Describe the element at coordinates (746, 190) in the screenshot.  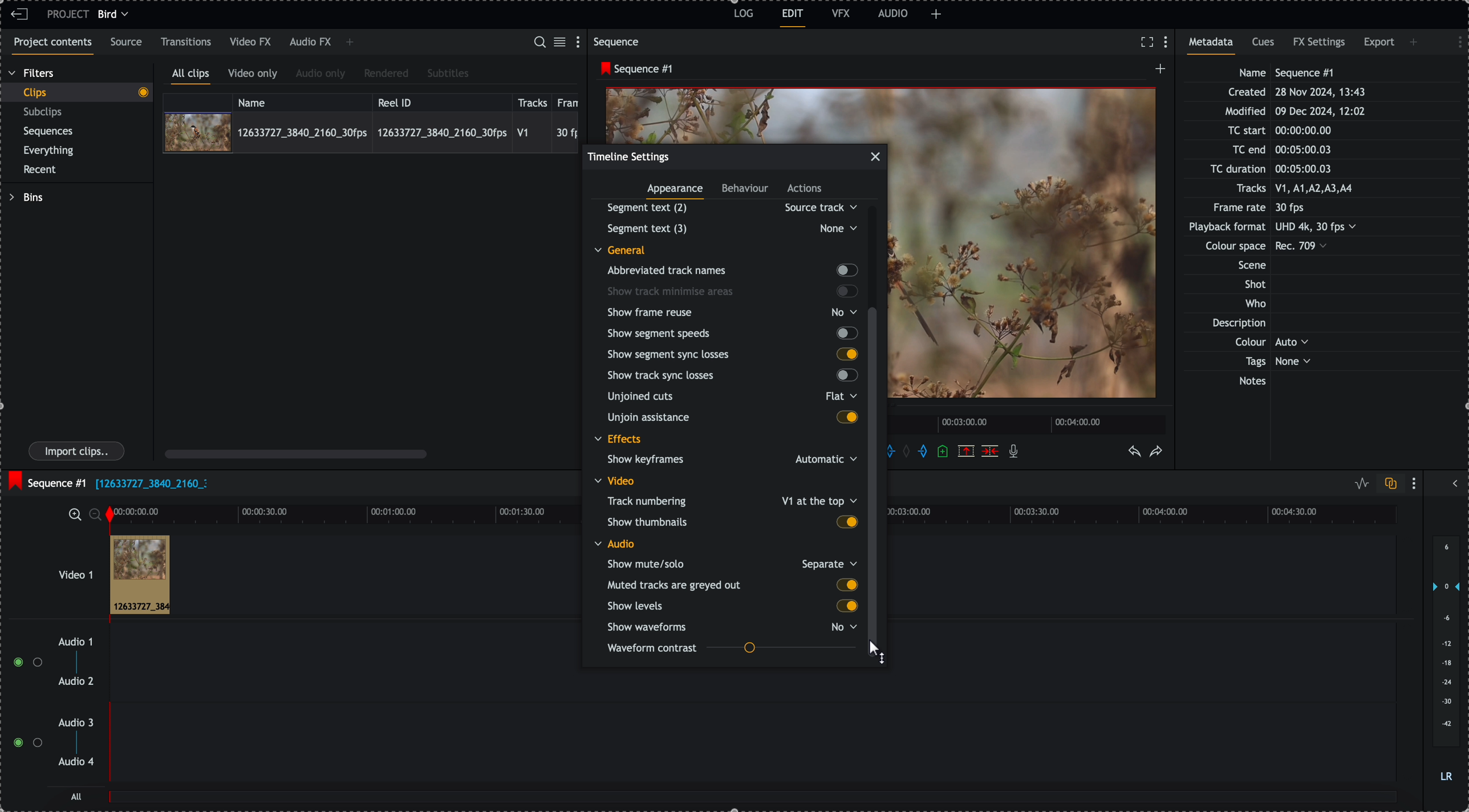
I see `behaviour` at that location.